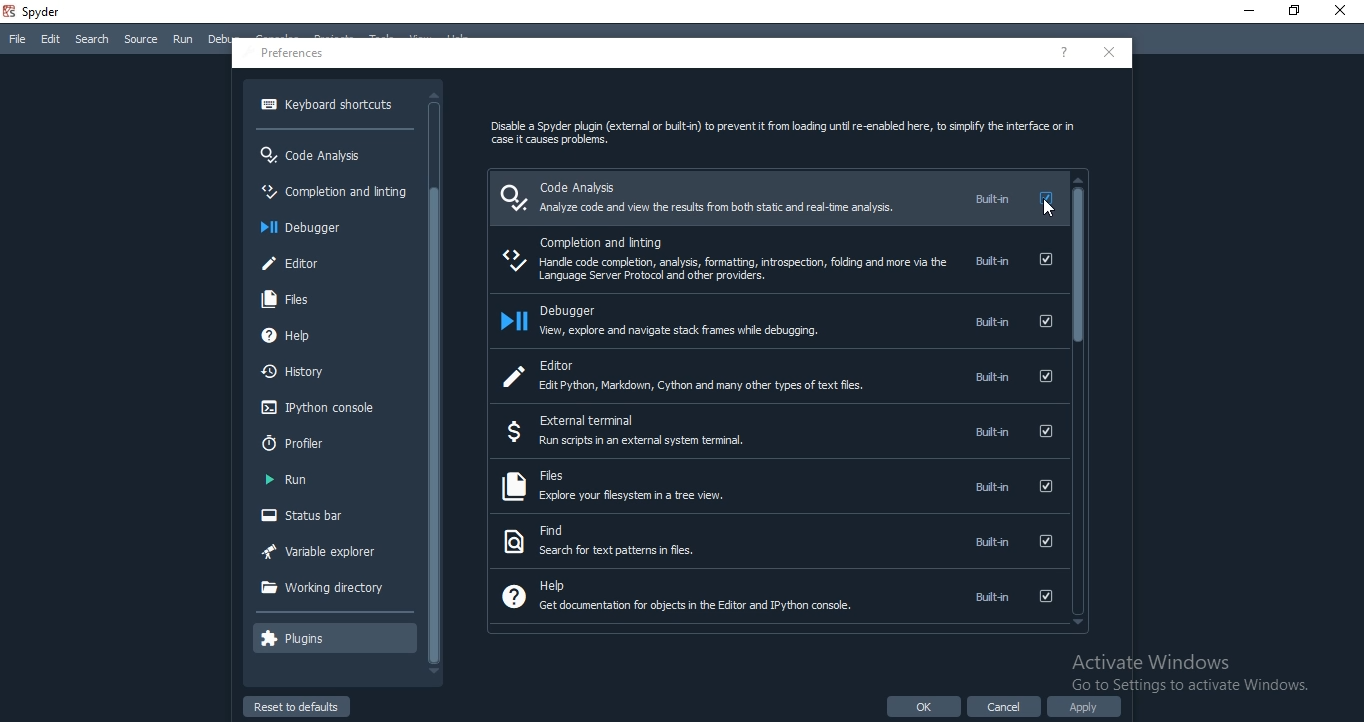 This screenshot has height=722, width=1364. I want to click on help, so click(1064, 53).